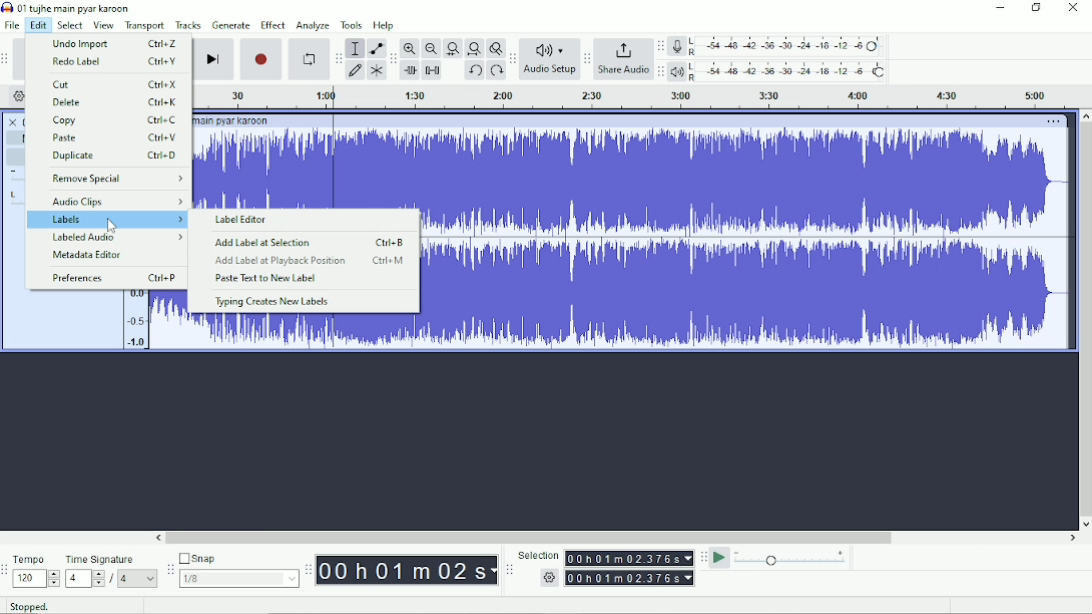 Image resolution: width=1092 pixels, height=614 pixels. Describe the element at coordinates (71, 25) in the screenshot. I see `Select` at that location.